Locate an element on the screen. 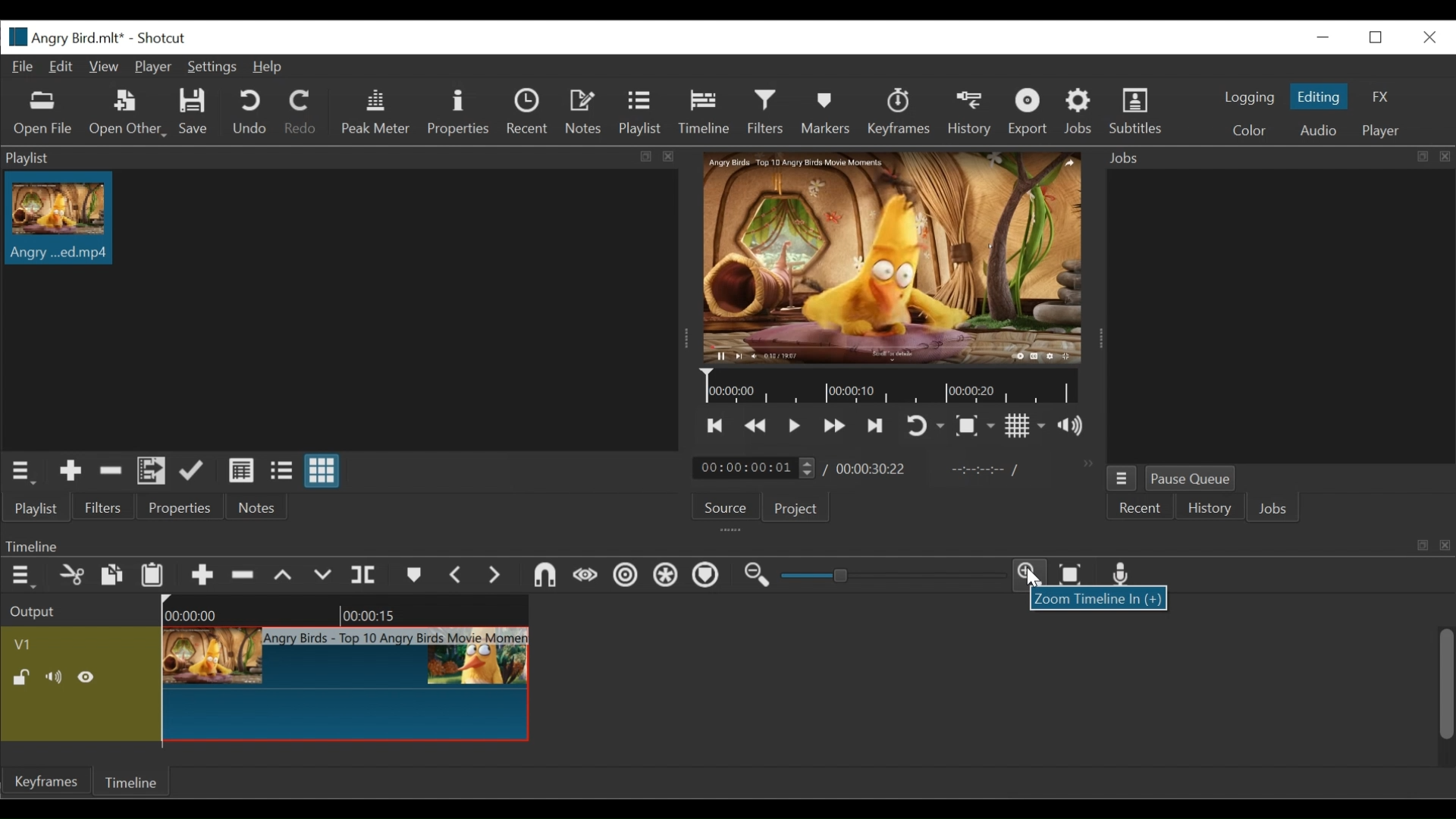 The height and width of the screenshot is (819, 1456). Record audio is located at coordinates (1120, 577).